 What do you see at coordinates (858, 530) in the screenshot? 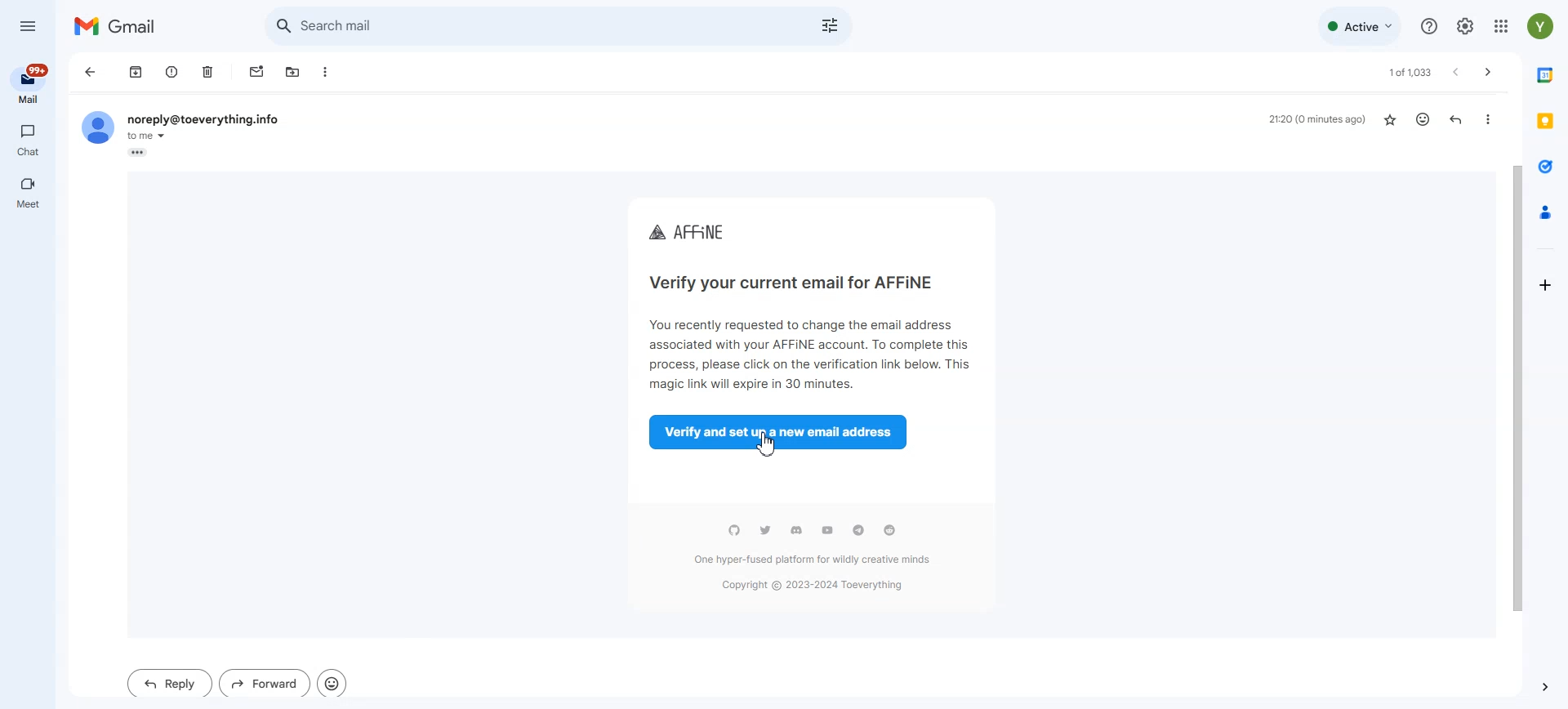
I see `Telegram` at bounding box center [858, 530].